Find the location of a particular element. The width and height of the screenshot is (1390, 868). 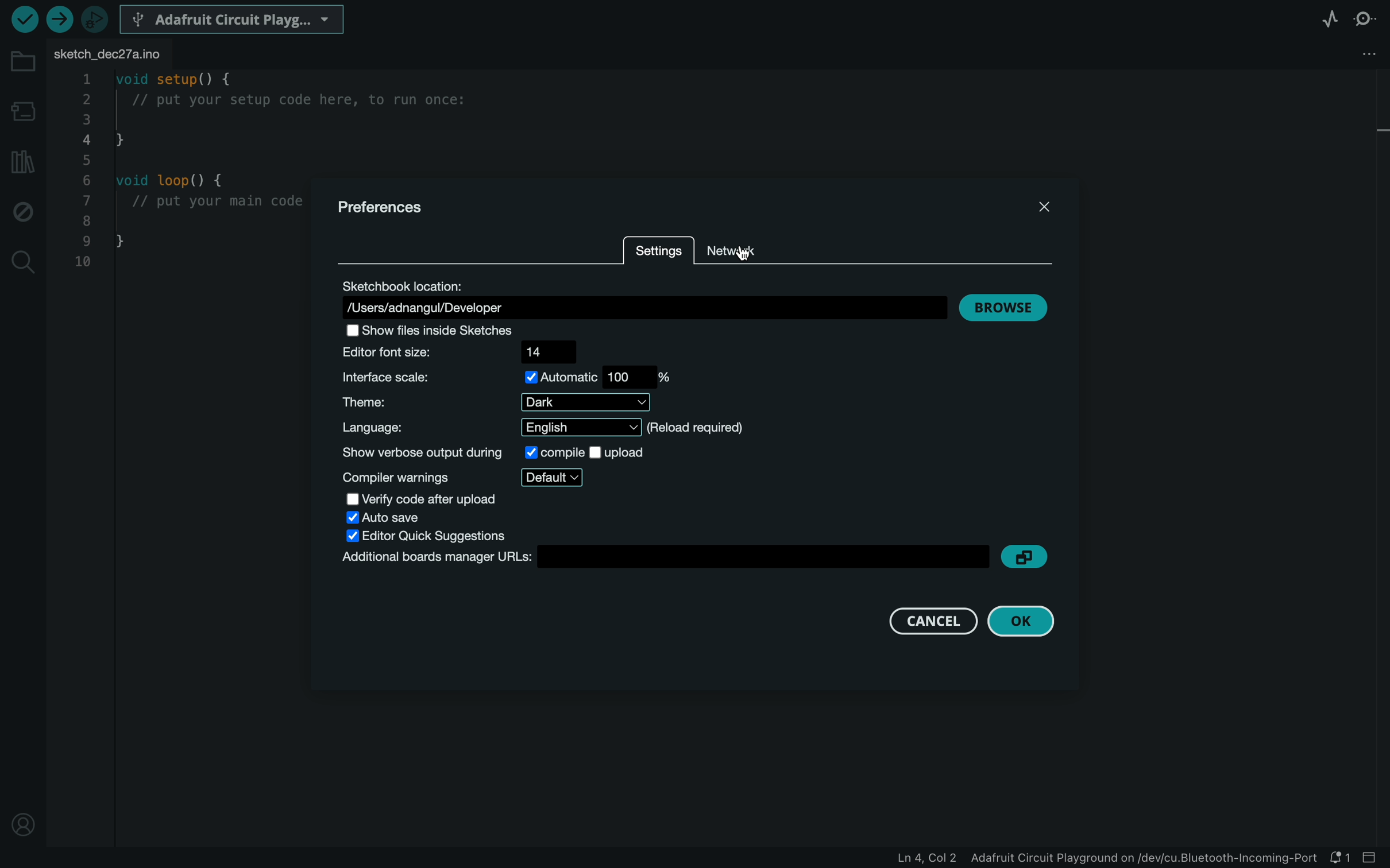

board manager is located at coordinates (23, 110).